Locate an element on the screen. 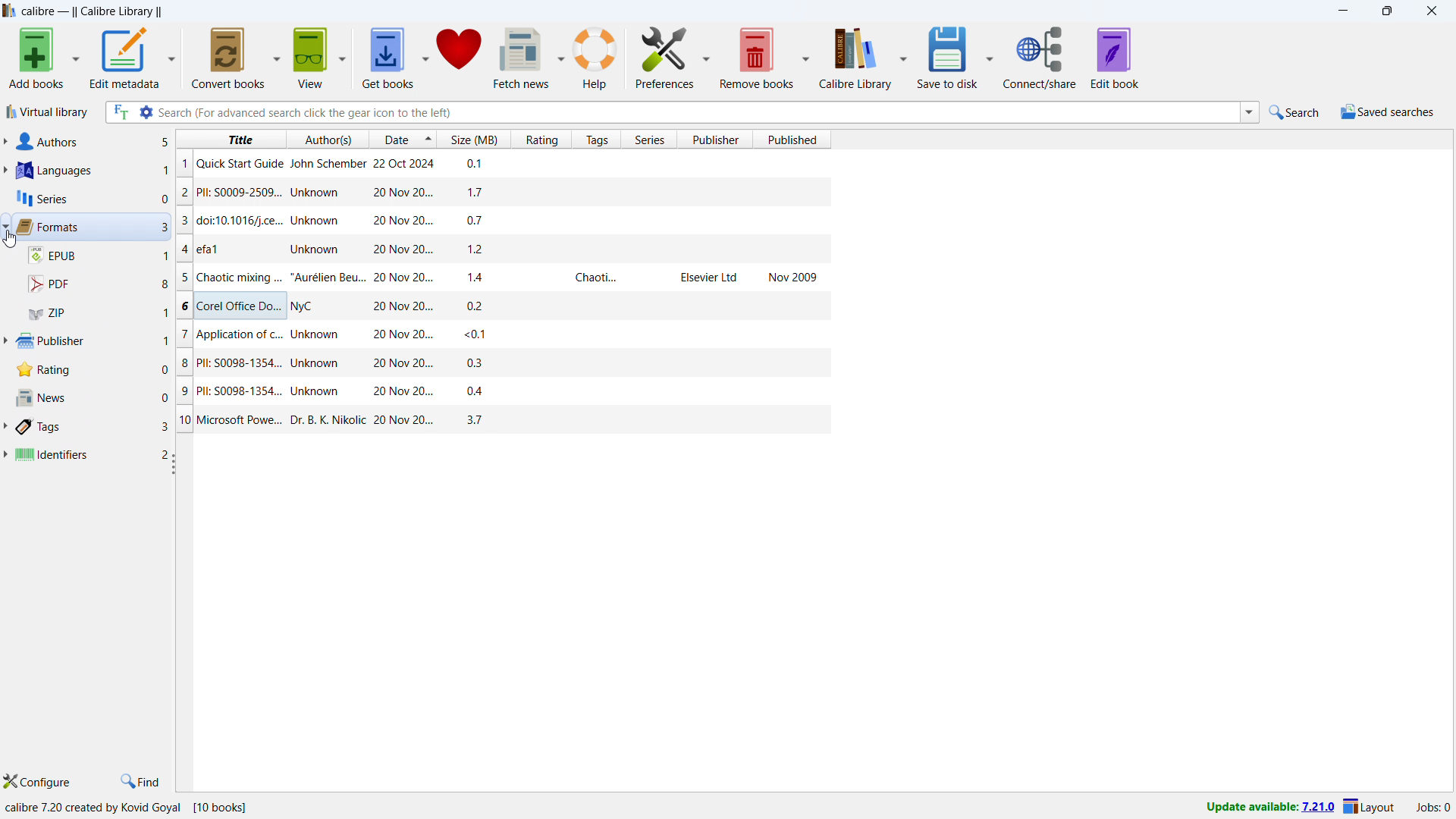 The image size is (1456, 819). convert books options is located at coordinates (278, 58).